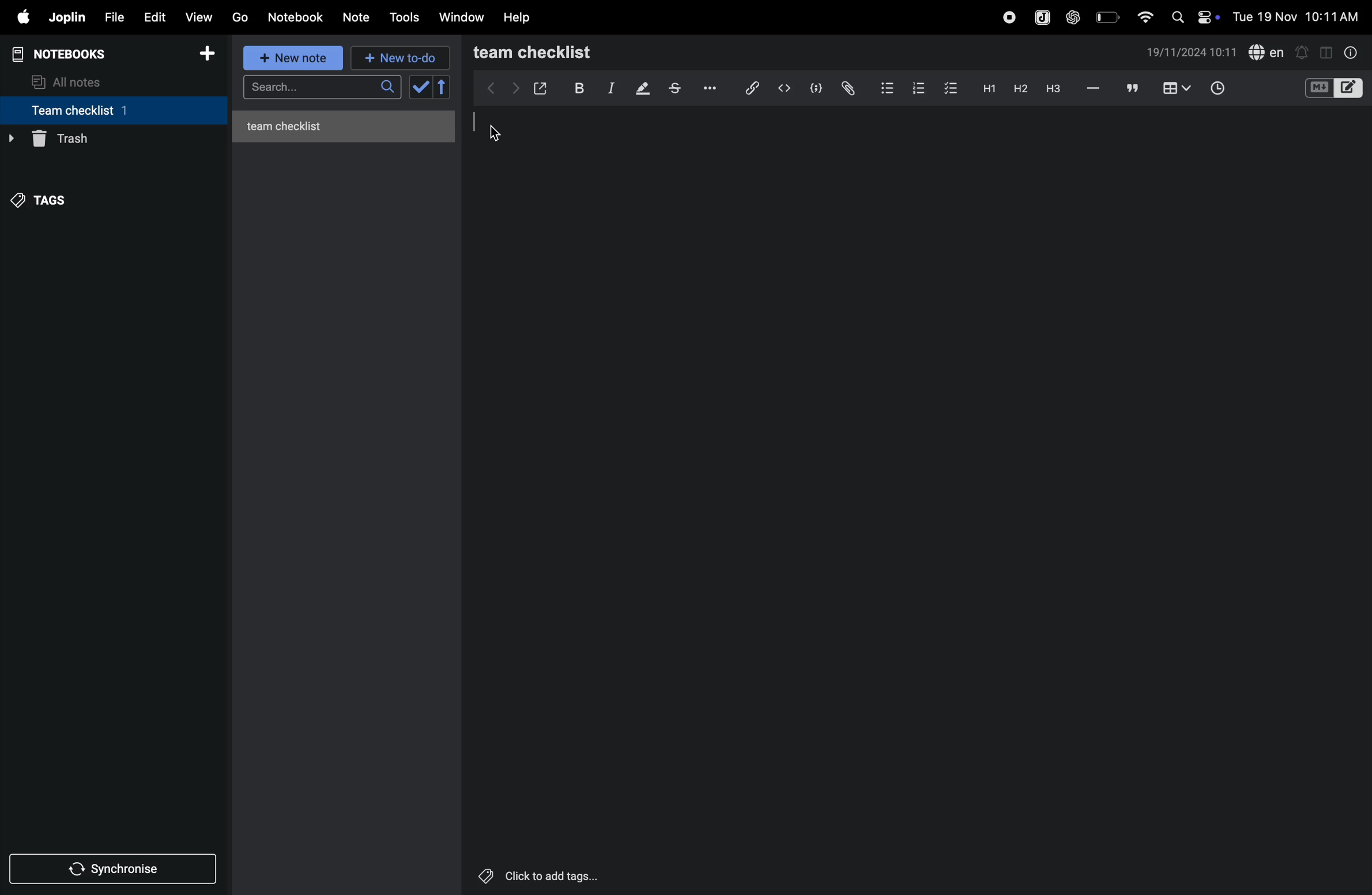 This screenshot has width=1372, height=895. What do you see at coordinates (431, 88) in the screenshot?
I see `check` at bounding box center [431, 88].